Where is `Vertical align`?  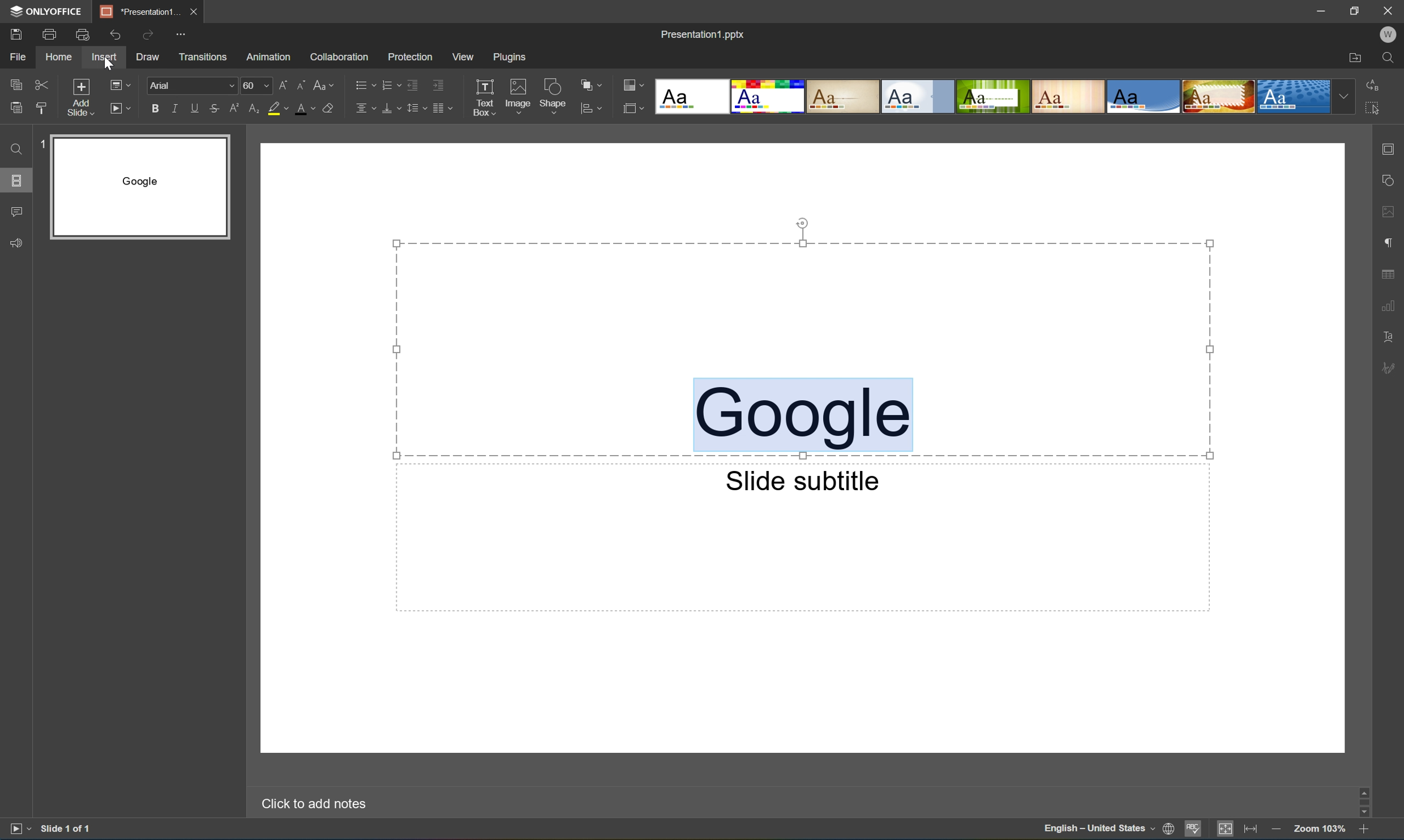 Vertical align is located at coordinates (392, 109).